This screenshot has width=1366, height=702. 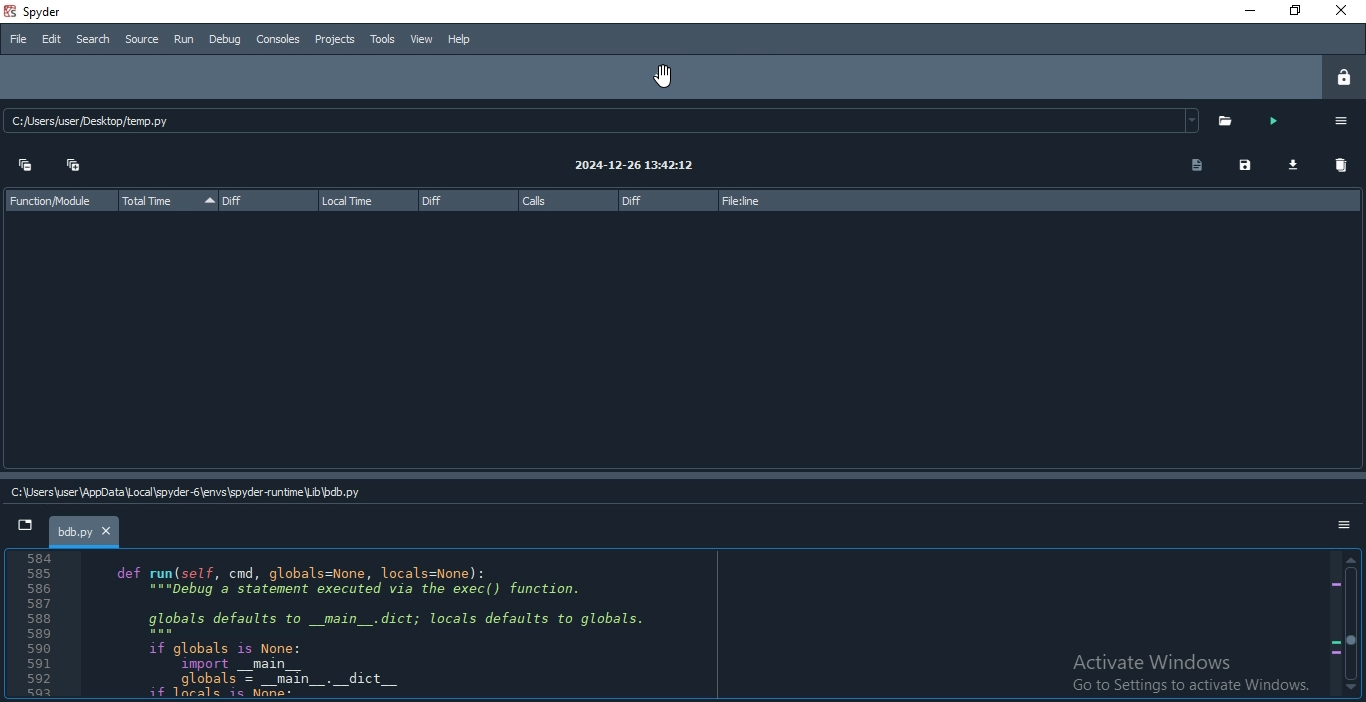 What do you see at coordinates (666, 201) in the screenshot?
I see `diff` at bounding box center [666, 201].